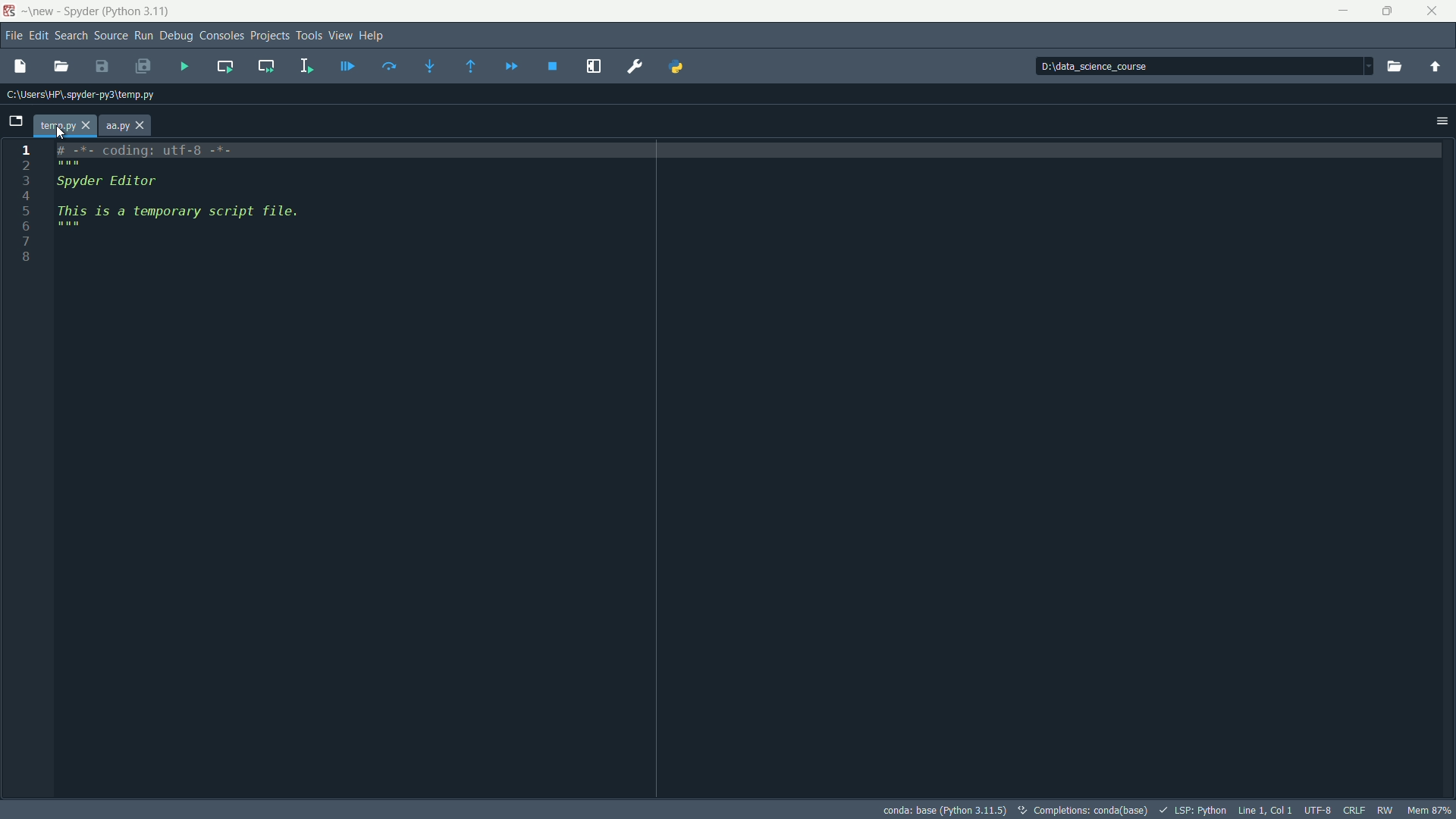  What do you see at coordinates (267, 67) in the screenshot?
I see `run current cell and go to the next one` at bounding box center [267, 67].